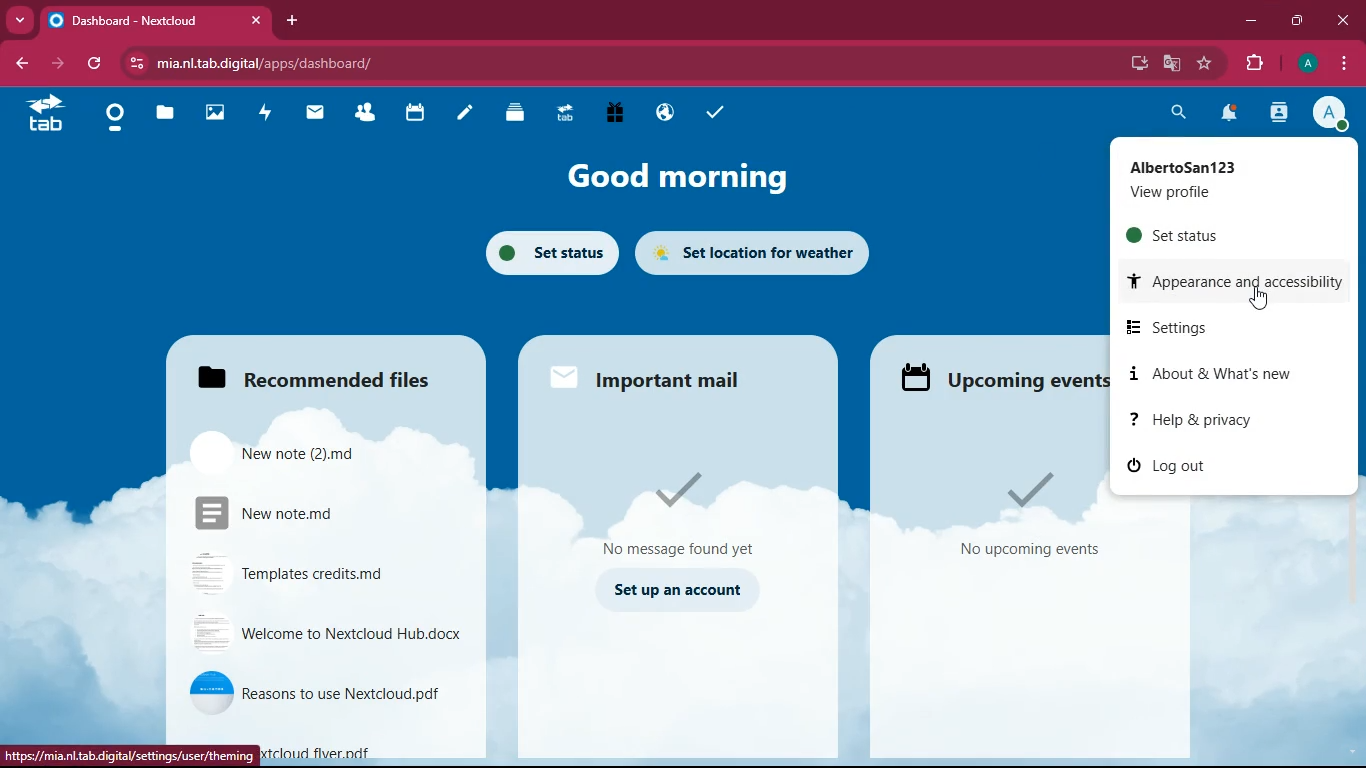 The image size is (1366, 768). What do you see at coordinates (1021, 518) in the screenshot?
I see `events` at bounding box center [1021, 518].